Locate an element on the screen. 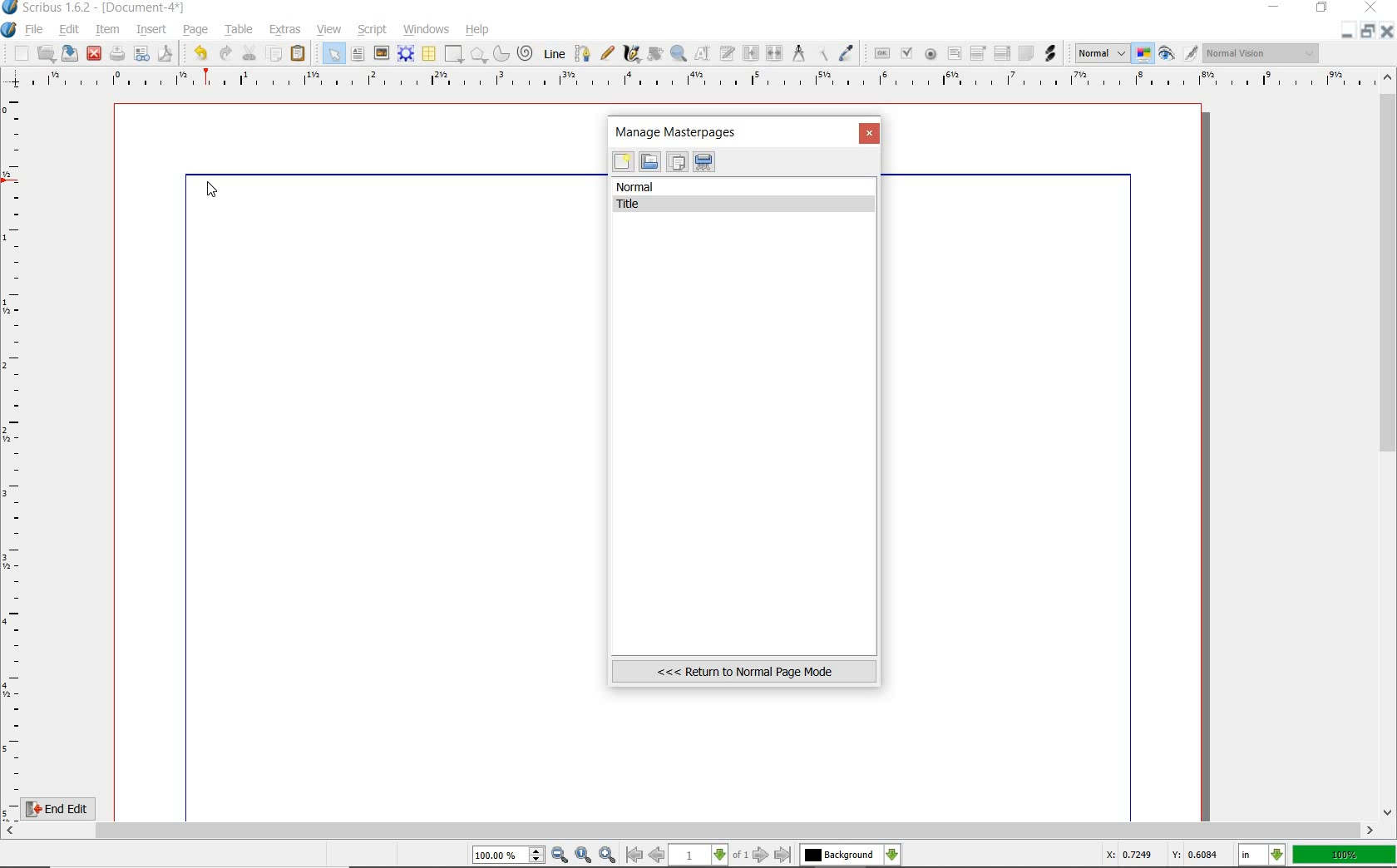 This screenshot has height=868, width=1397. polygon is located at coordinates (478, 56).